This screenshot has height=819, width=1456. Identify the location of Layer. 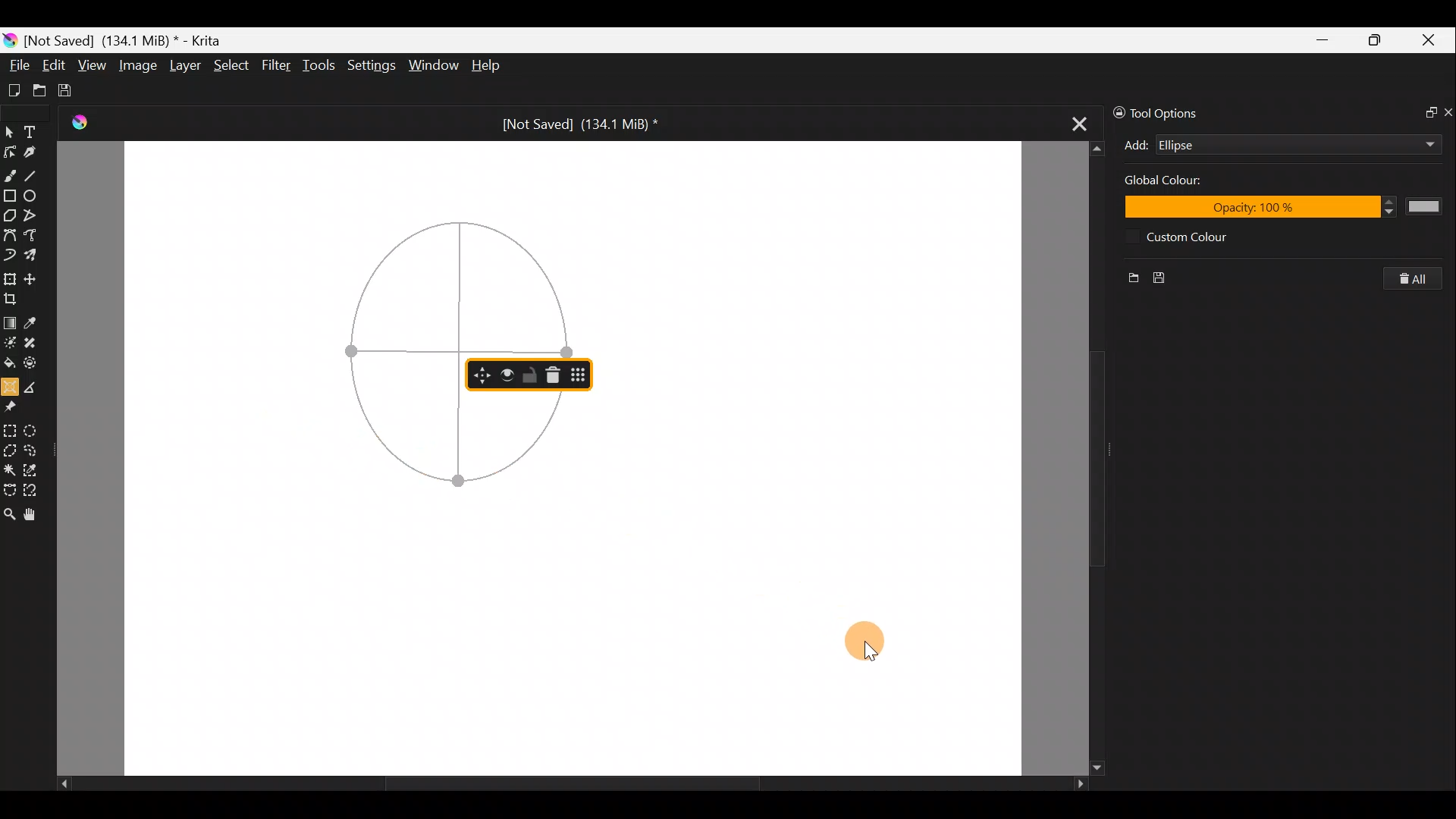
(184, 66).